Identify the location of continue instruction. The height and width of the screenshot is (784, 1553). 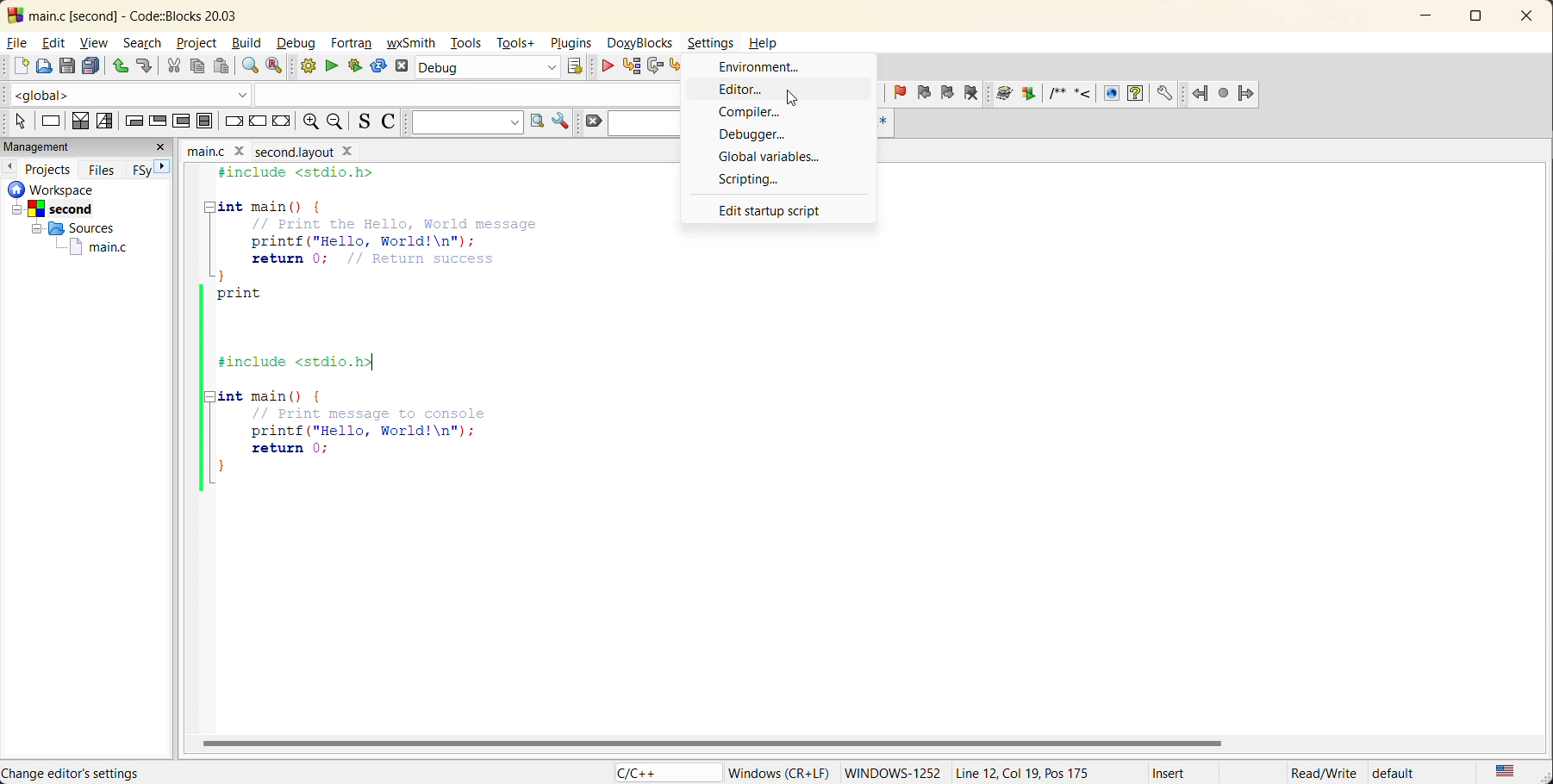
(260, 122).